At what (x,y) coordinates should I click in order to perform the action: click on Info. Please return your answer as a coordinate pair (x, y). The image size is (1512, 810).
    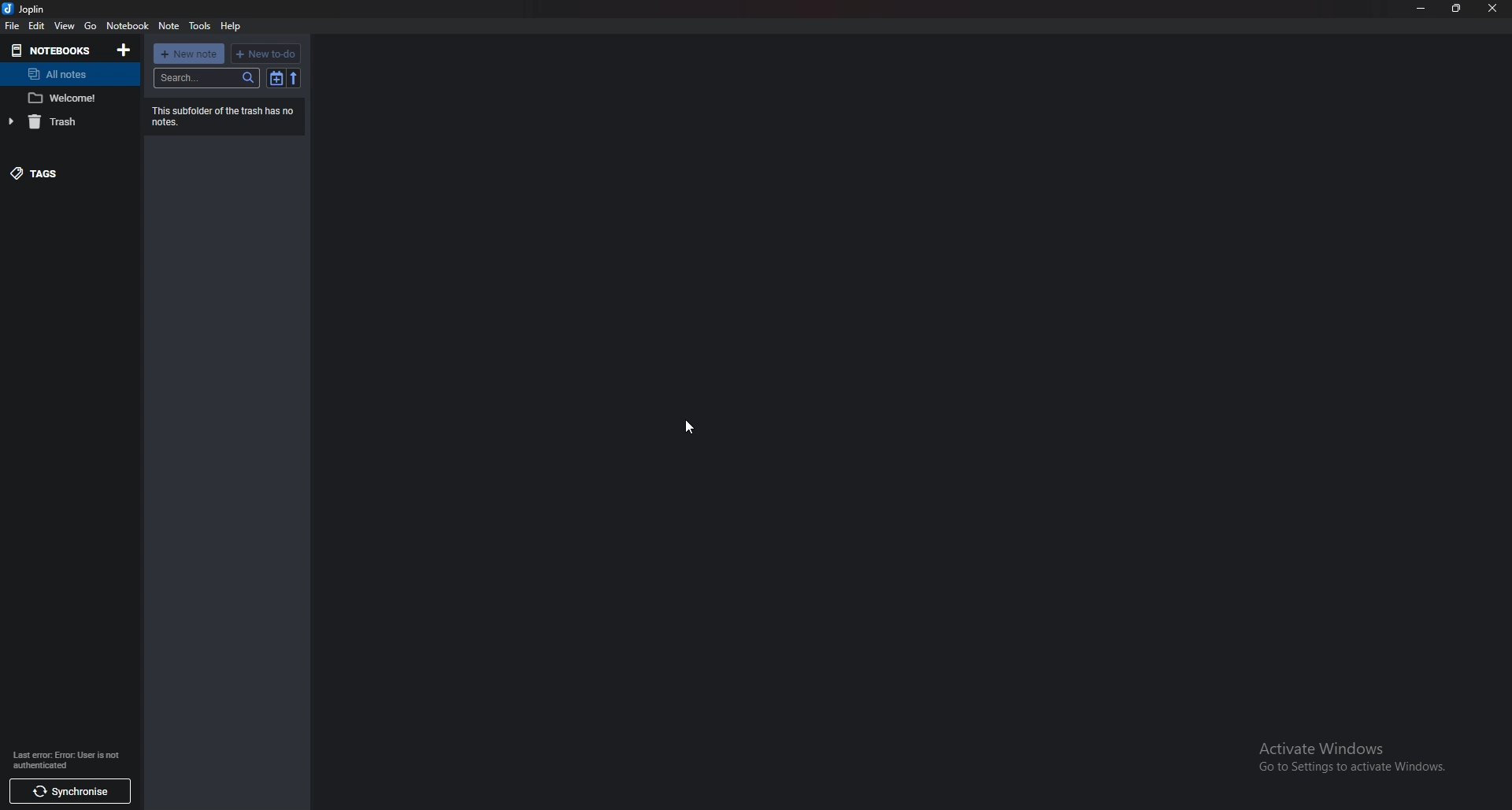
    Looking at the image, I should click on (224, 115).